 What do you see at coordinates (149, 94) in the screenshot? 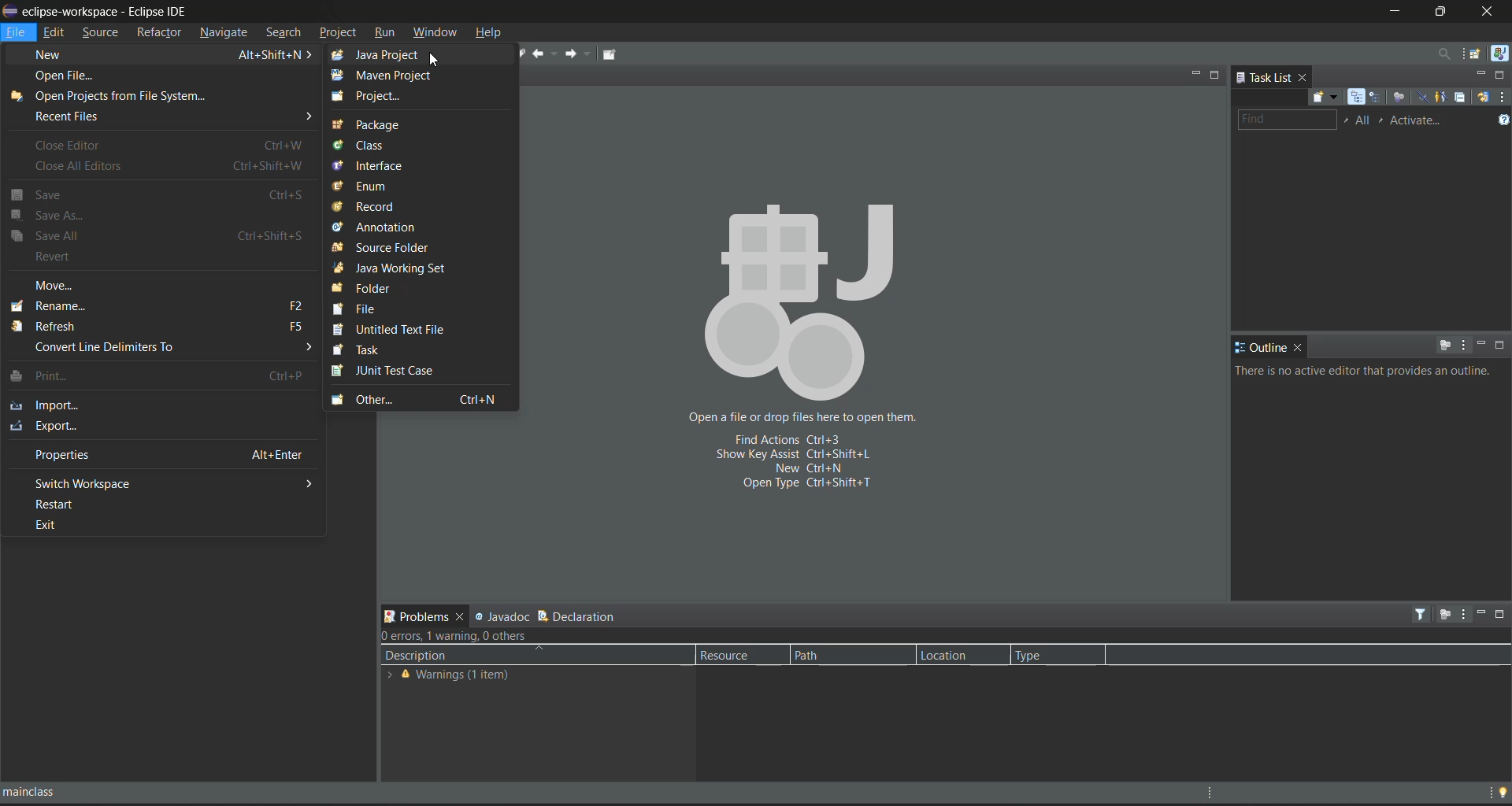
I see `open projects from file system` at bounding box center [149, 94].